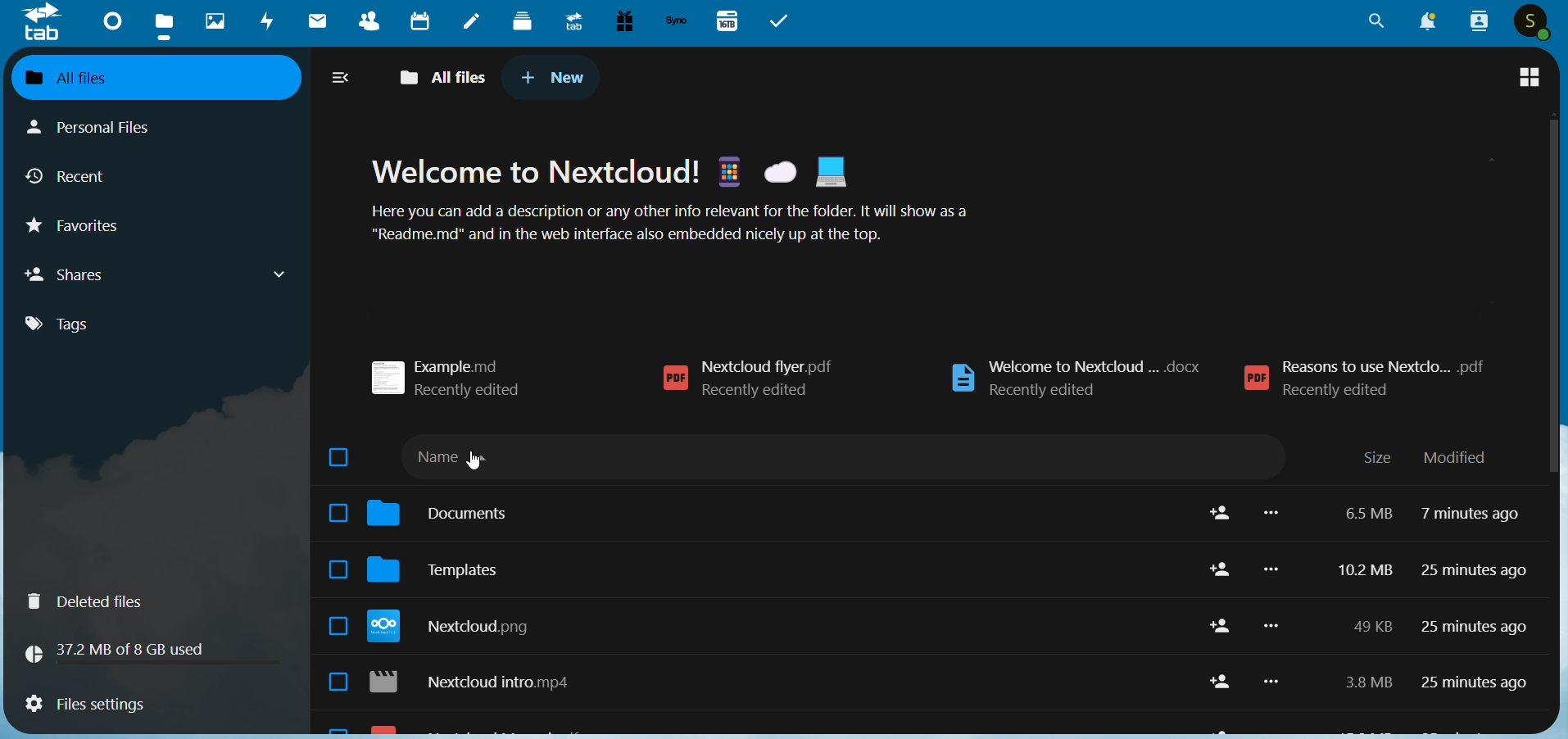  I want to click on select, so click(334, 575).